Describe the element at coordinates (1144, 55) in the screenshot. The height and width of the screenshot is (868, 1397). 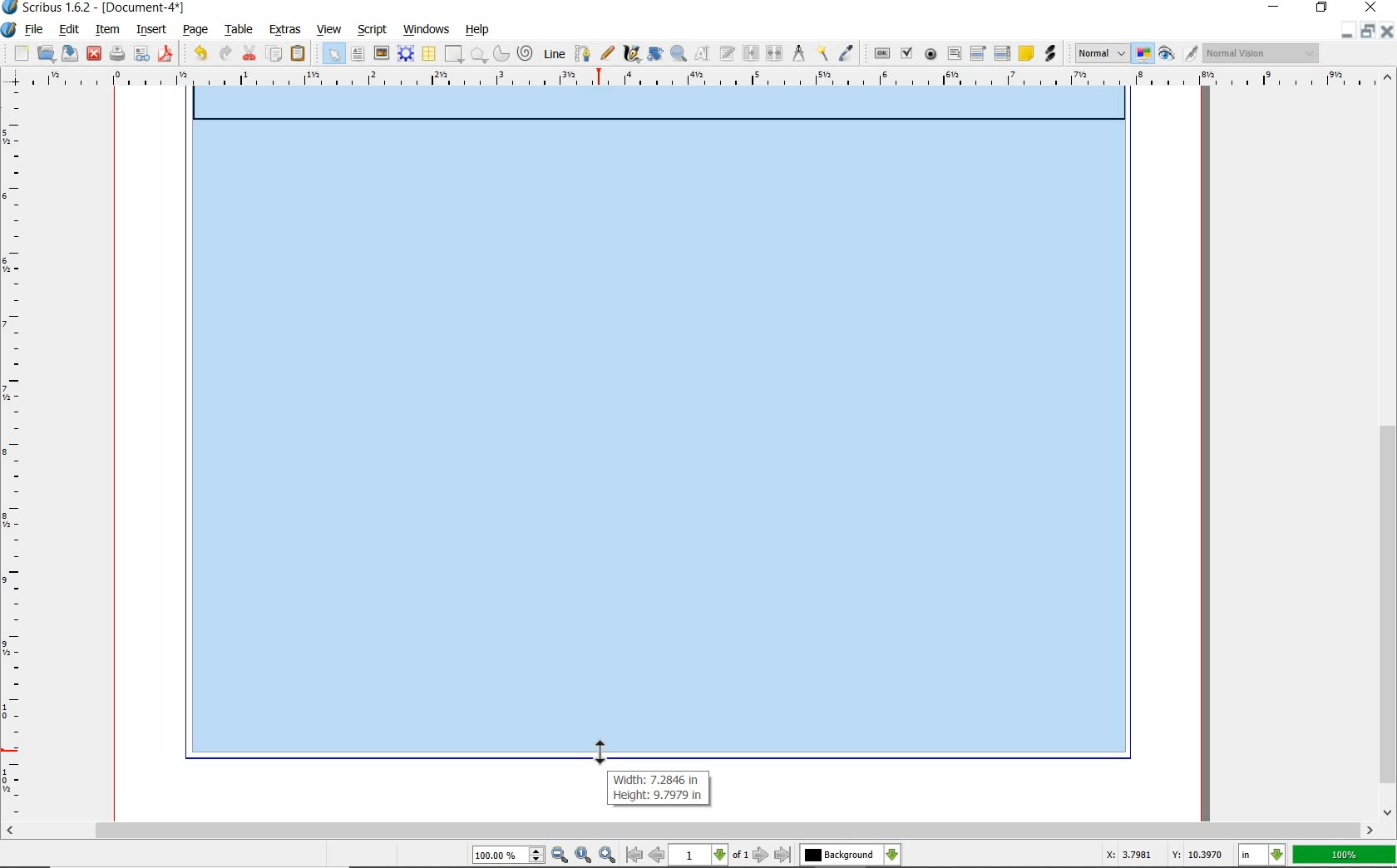
I see `toggle color management` at that location.